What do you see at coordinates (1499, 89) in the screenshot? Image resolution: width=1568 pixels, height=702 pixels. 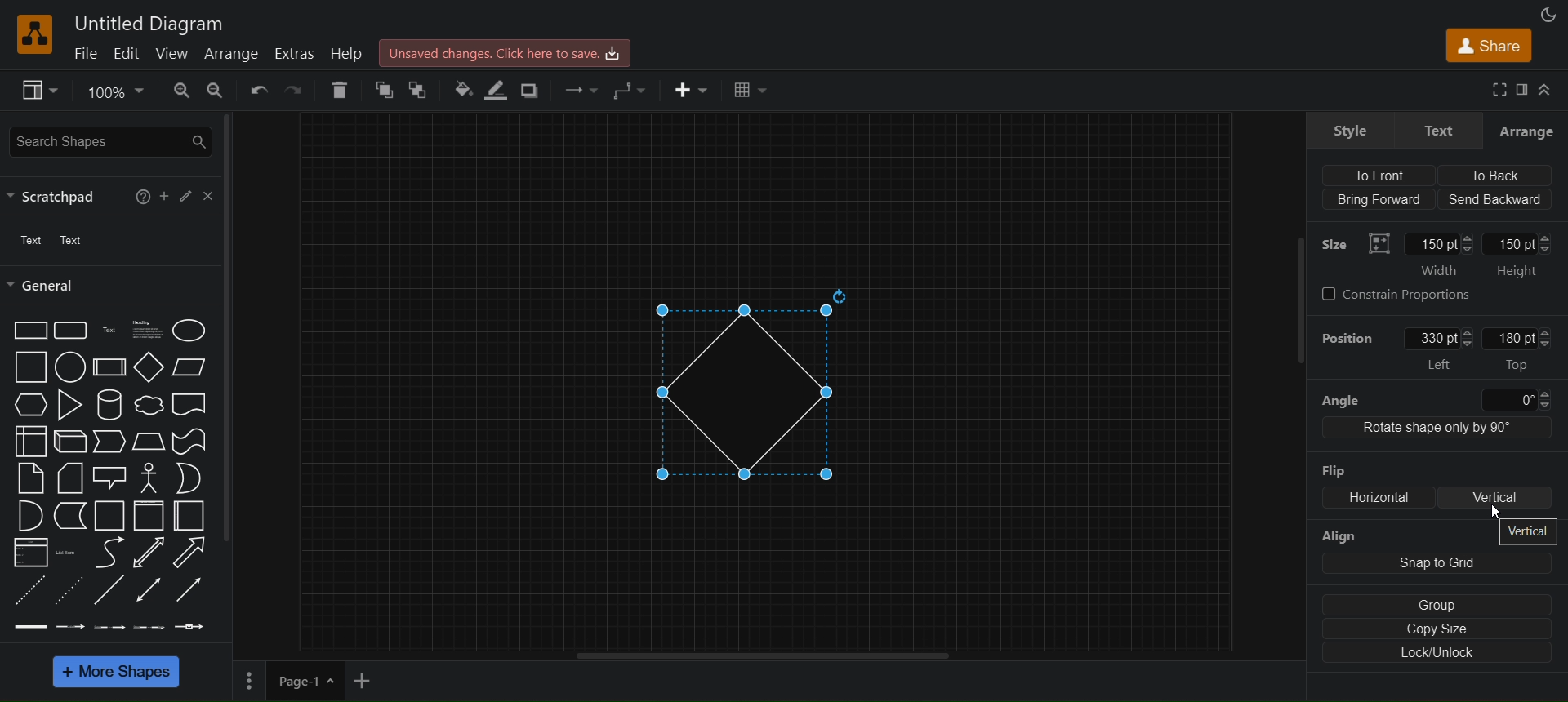 I see `fullscreen` at bounding box center [1499, 89].